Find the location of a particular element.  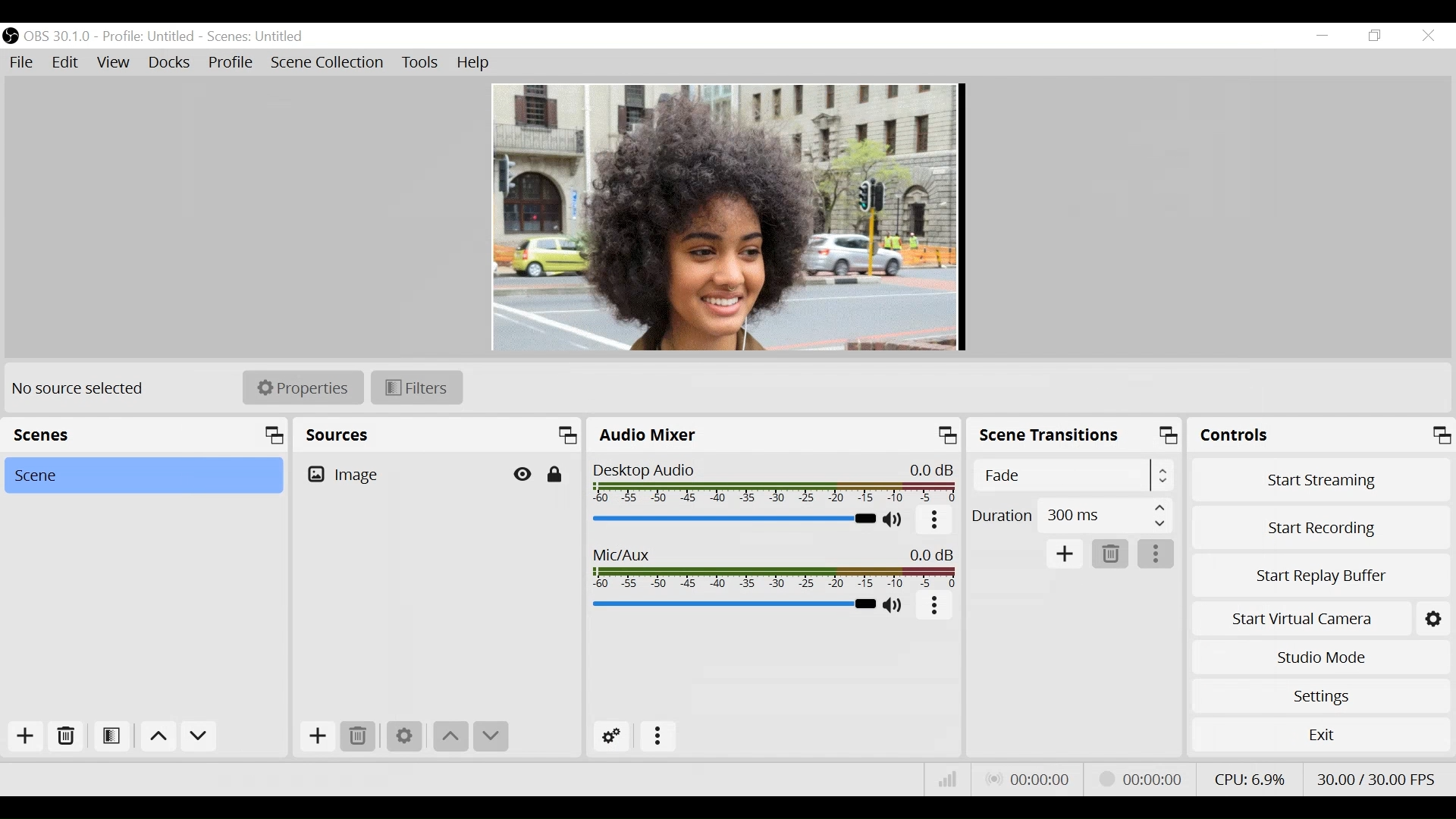

Advanced Audio Settings is located at coordinates (612, 736).